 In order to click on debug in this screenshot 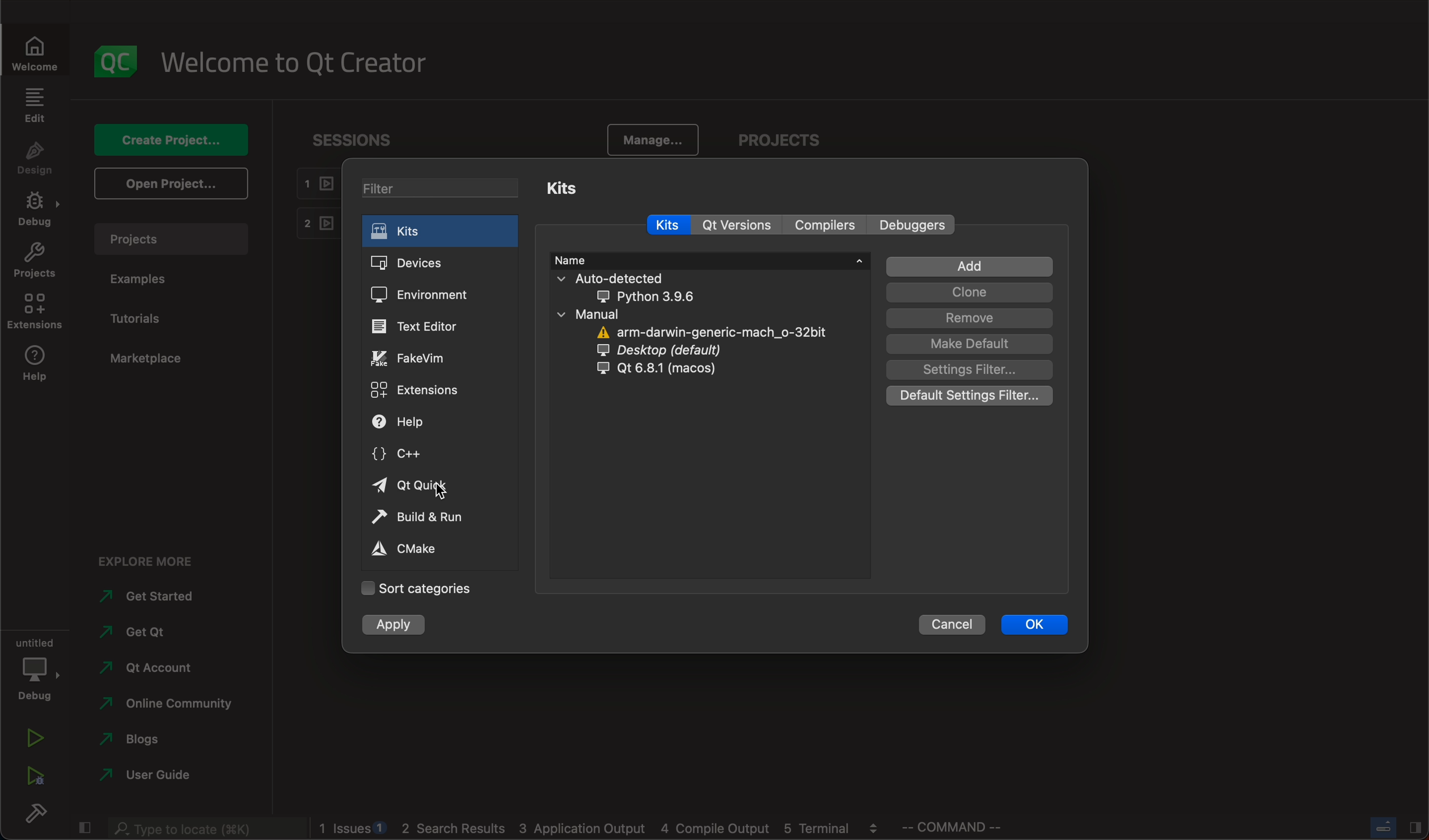, I will do `click(36, 667)`.